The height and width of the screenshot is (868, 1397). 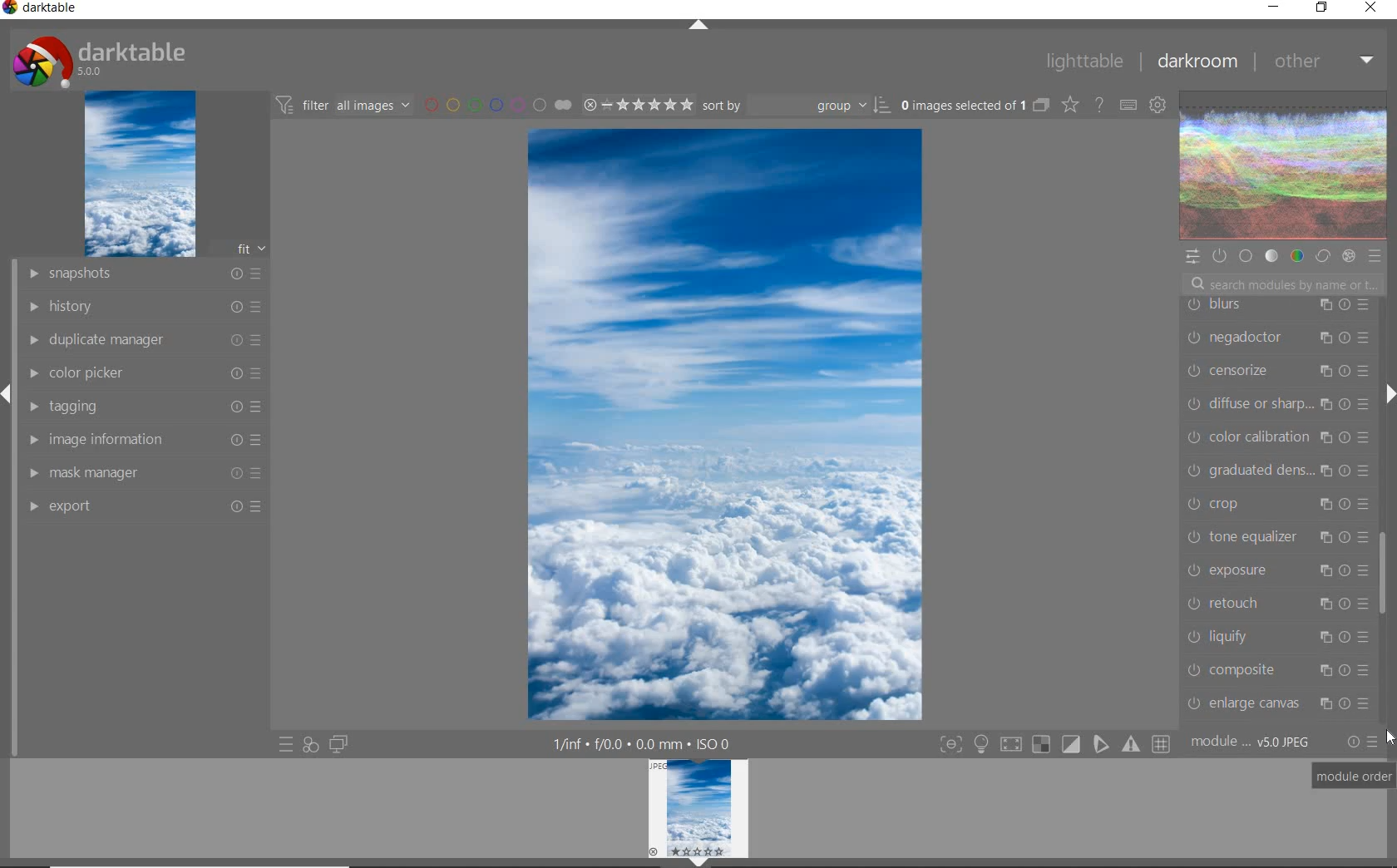 What do you see at coordinates (1271, 258) in the screenshot?
I see `TONE` at bounding box center [1271, 258].